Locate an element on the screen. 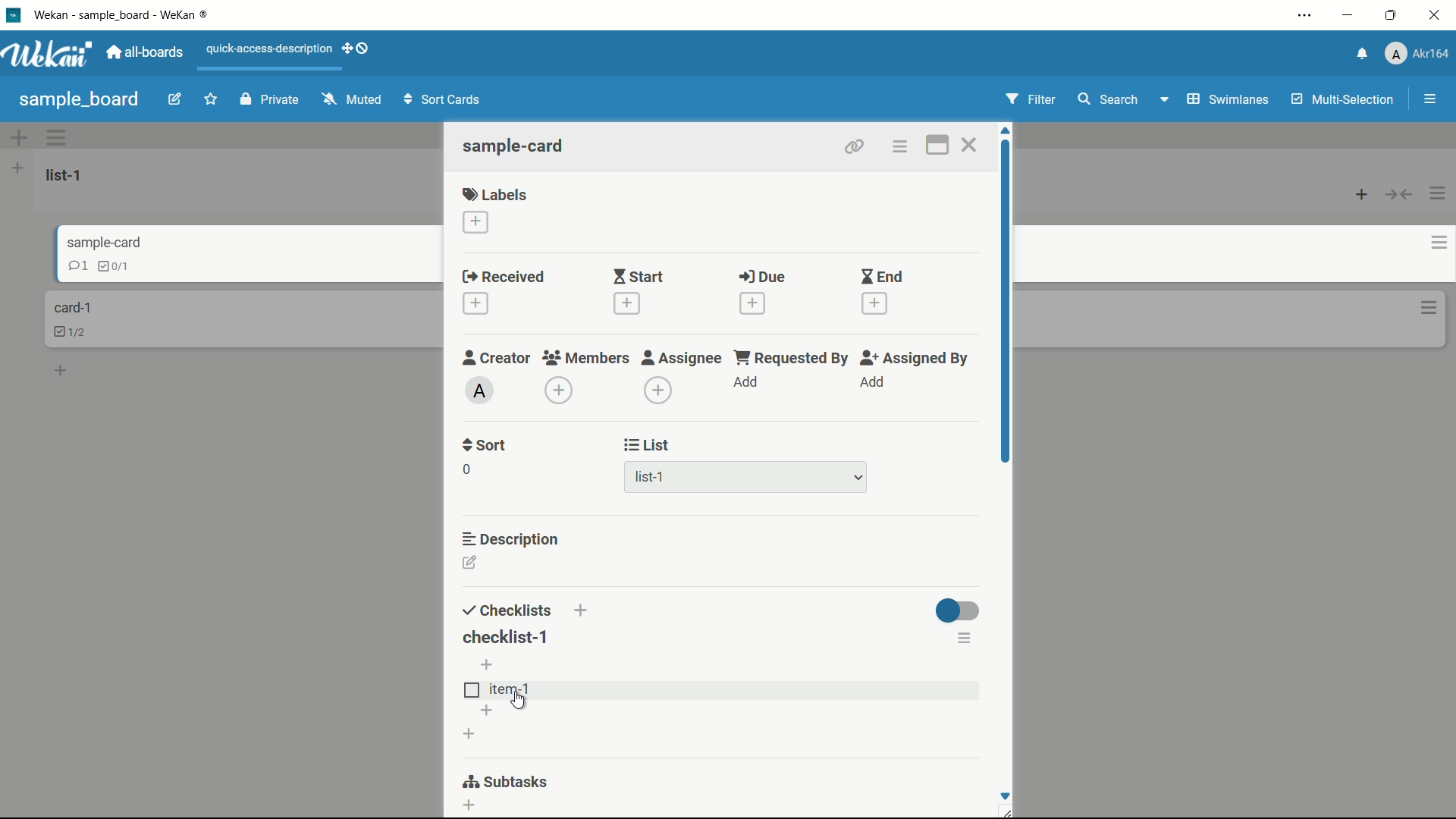  checklist actions is located at coordinates (966, 638).